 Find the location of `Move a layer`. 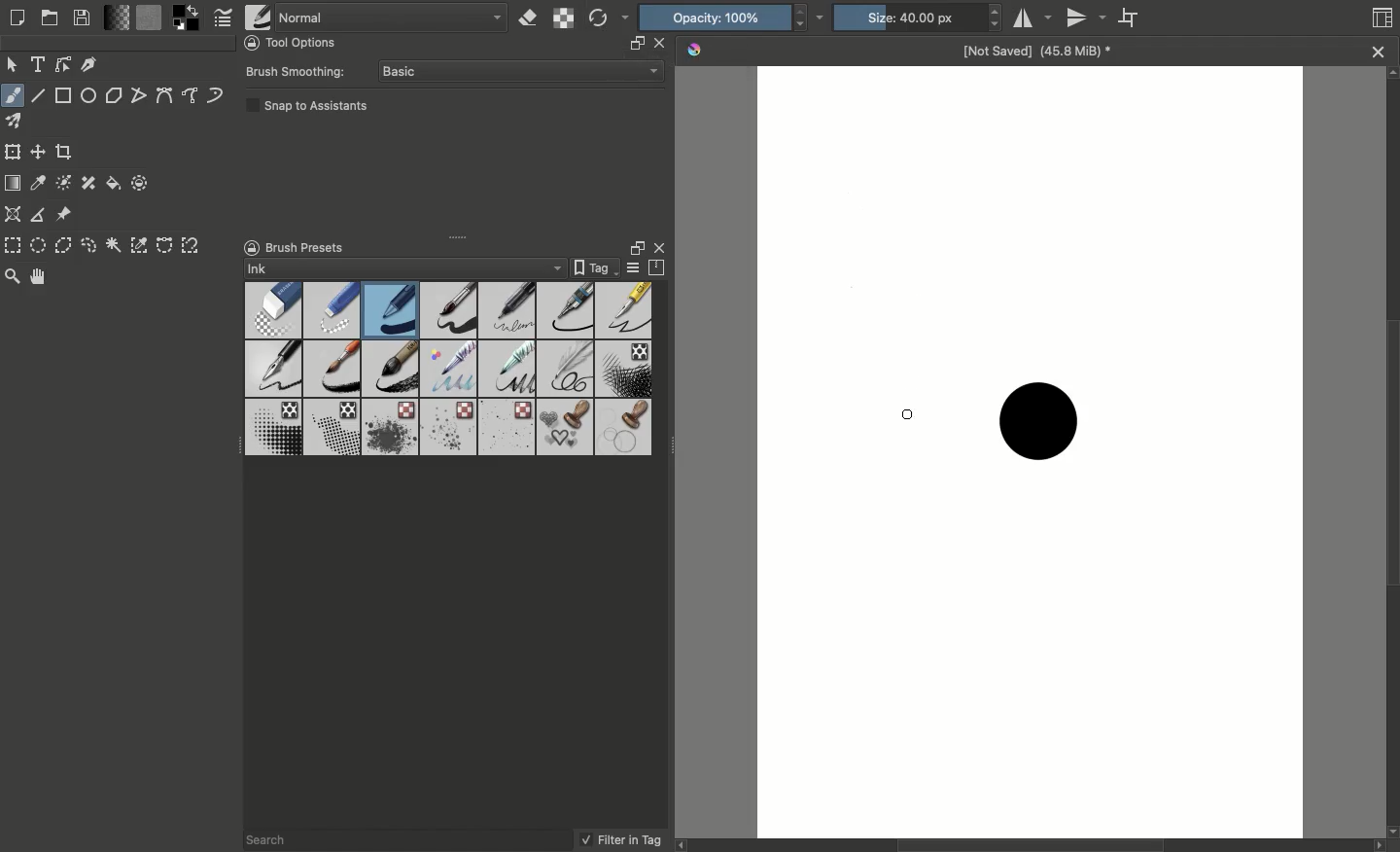

Move a layer is located at coordinates (39, 154).